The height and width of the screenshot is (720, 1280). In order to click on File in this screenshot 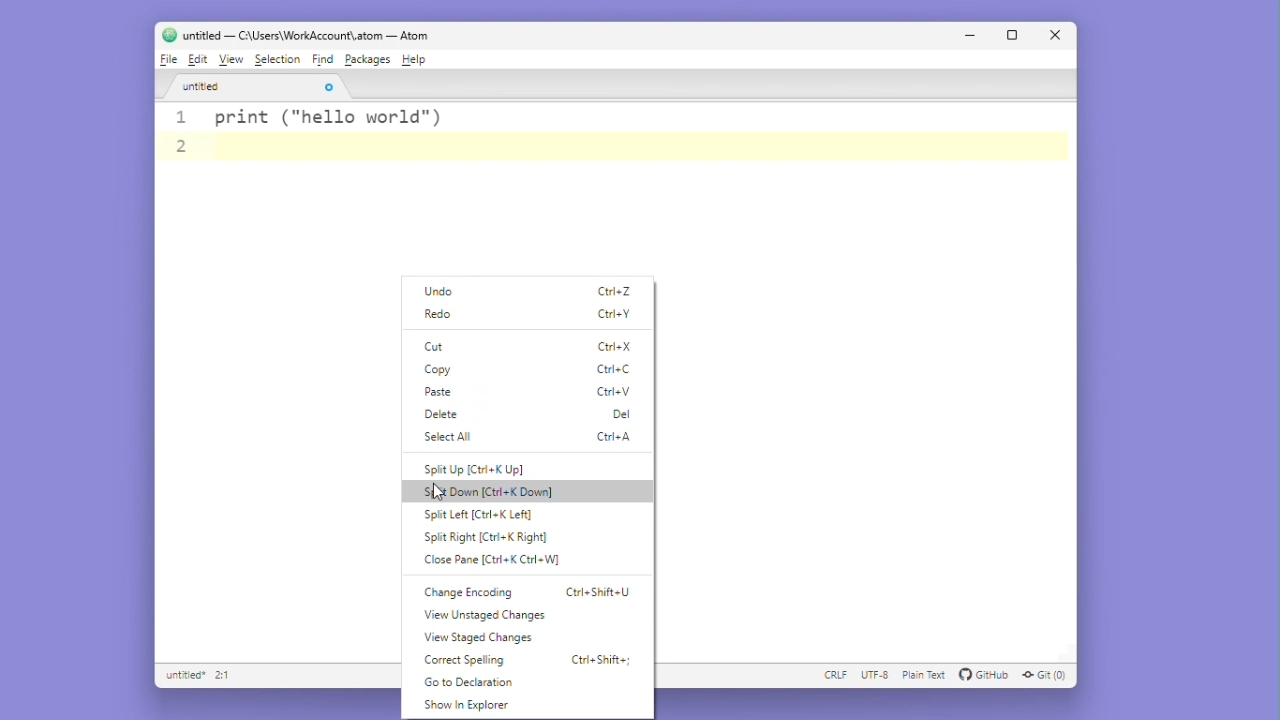, I will do `click(167, 61)`.